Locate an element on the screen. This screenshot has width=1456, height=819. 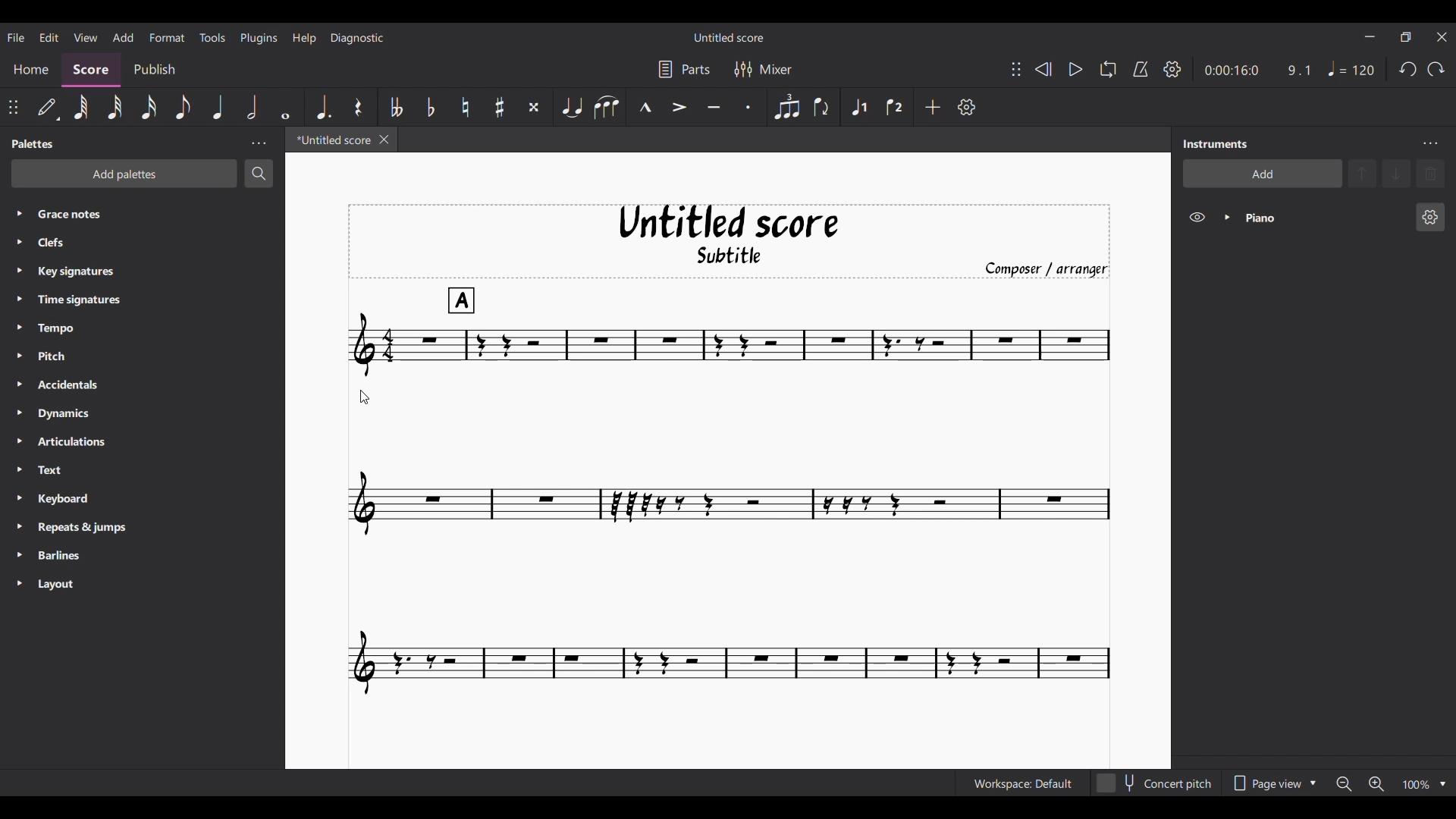
Close interface is located at coordinates (1442, 37).